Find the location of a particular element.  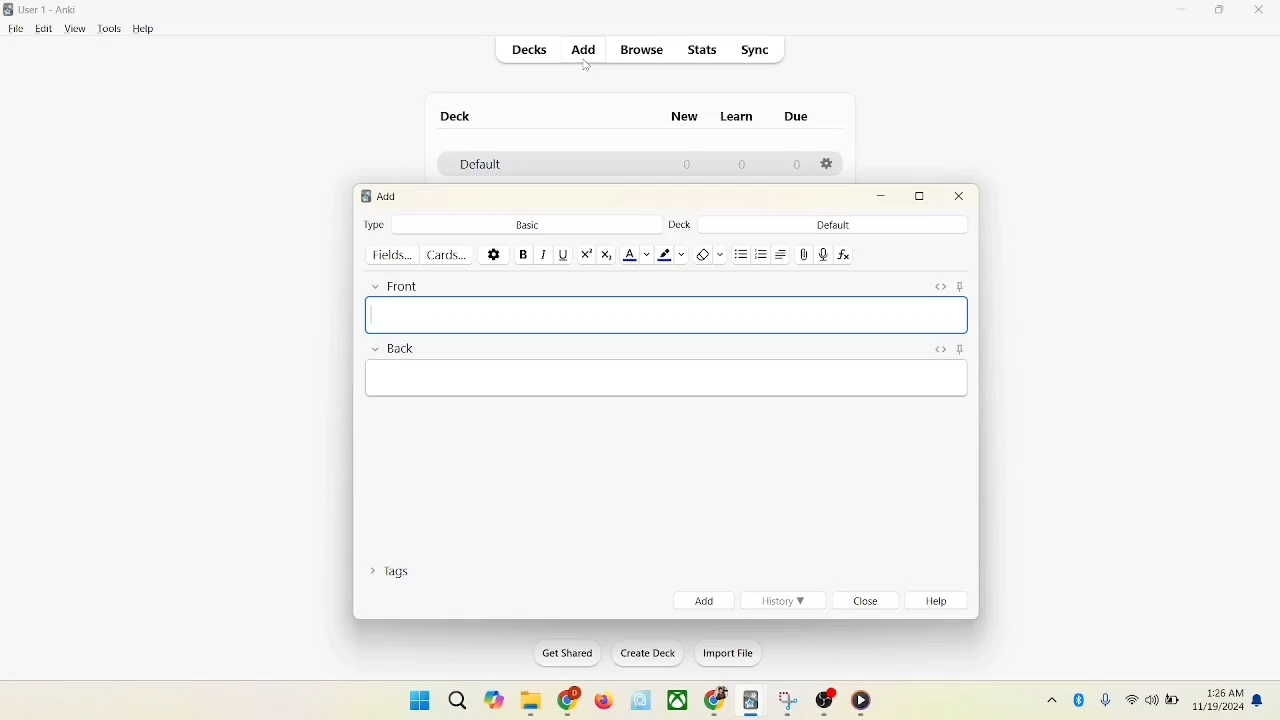

front is located at coordinates (392, 285).